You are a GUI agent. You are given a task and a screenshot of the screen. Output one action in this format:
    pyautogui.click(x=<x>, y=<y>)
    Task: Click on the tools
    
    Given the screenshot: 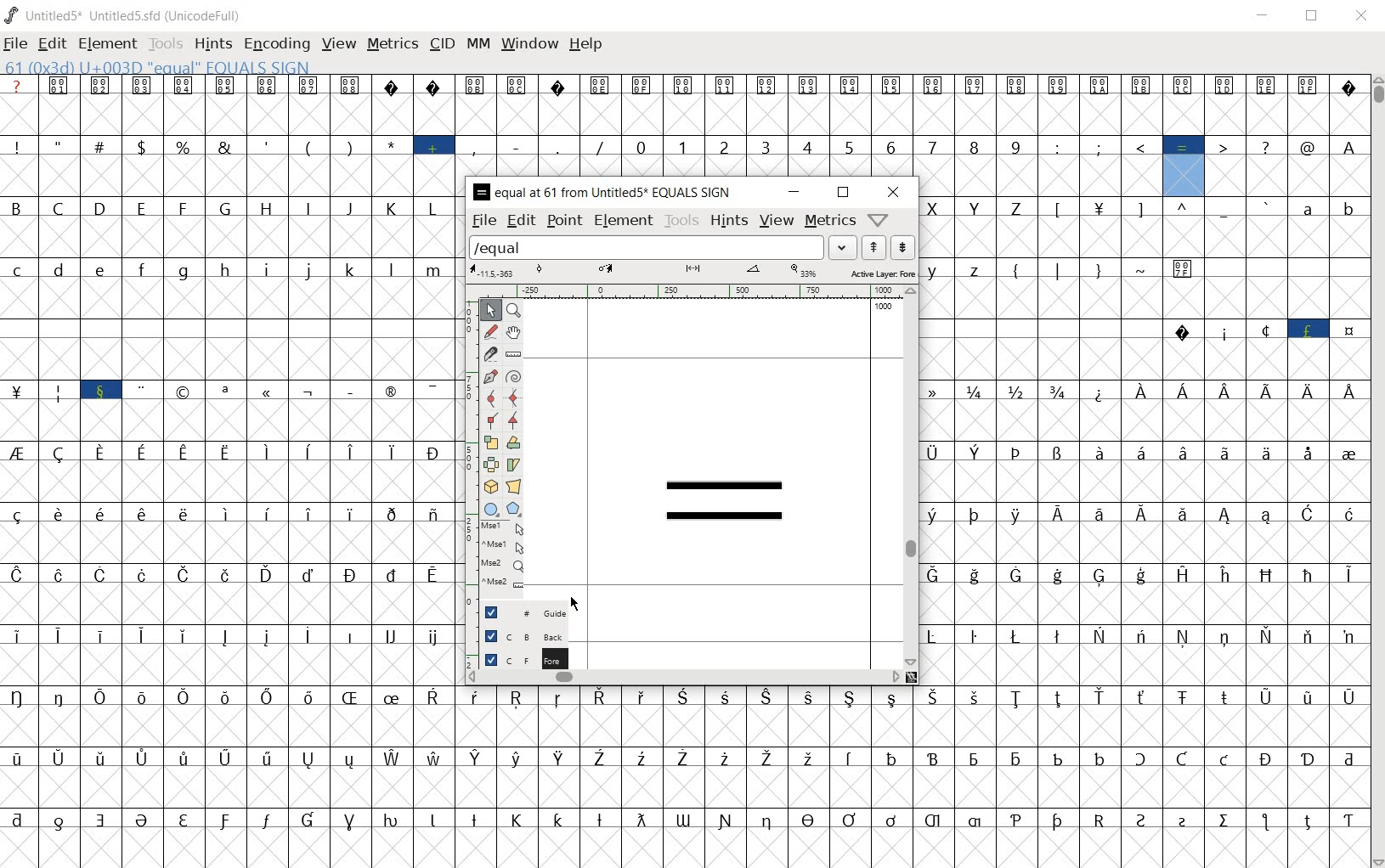 What is the action you would take?
    pyautogui.click(x=681, y=220)
    